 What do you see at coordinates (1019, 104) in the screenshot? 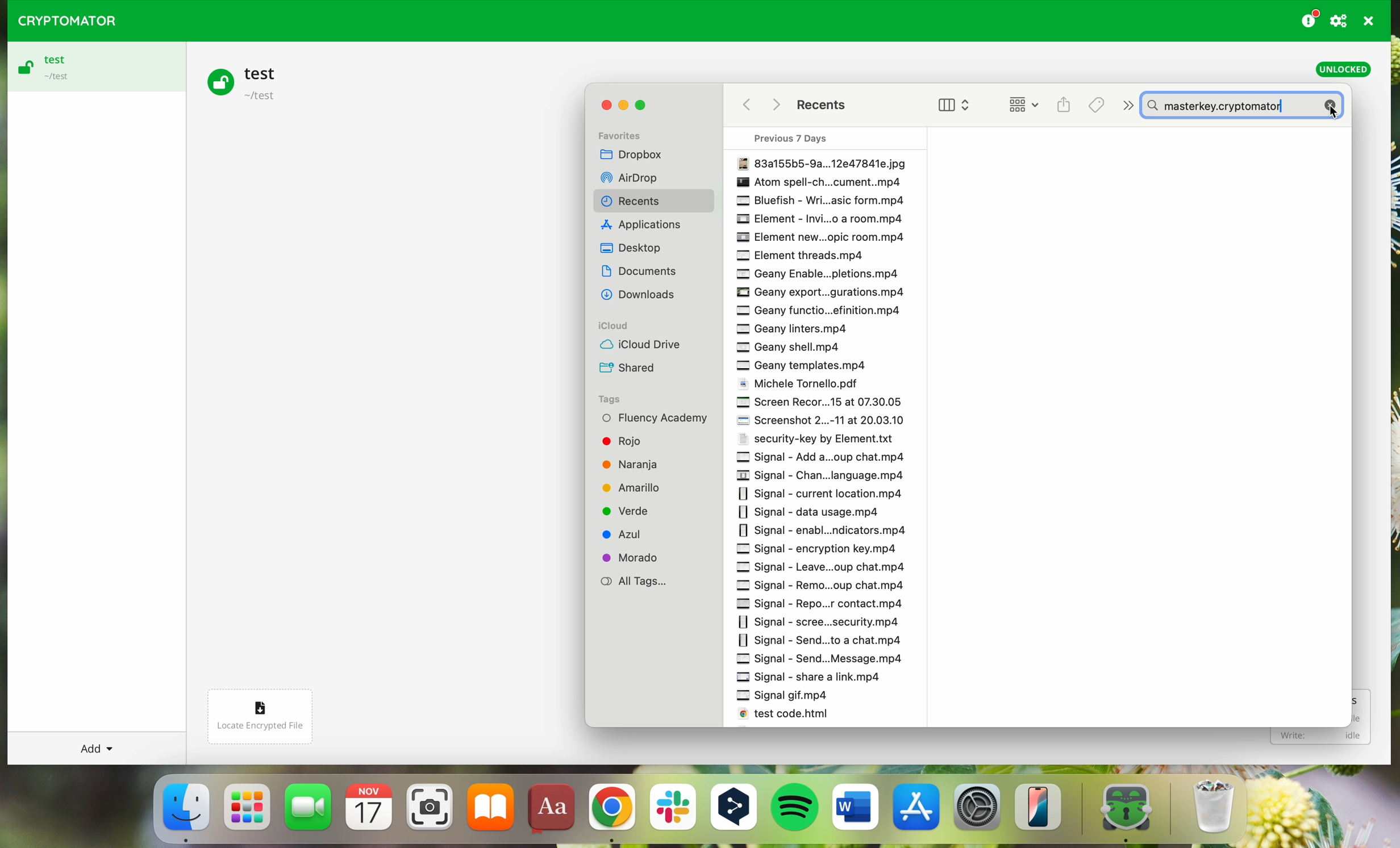
I see `change item grouping` at bounding box center [1019, 104].